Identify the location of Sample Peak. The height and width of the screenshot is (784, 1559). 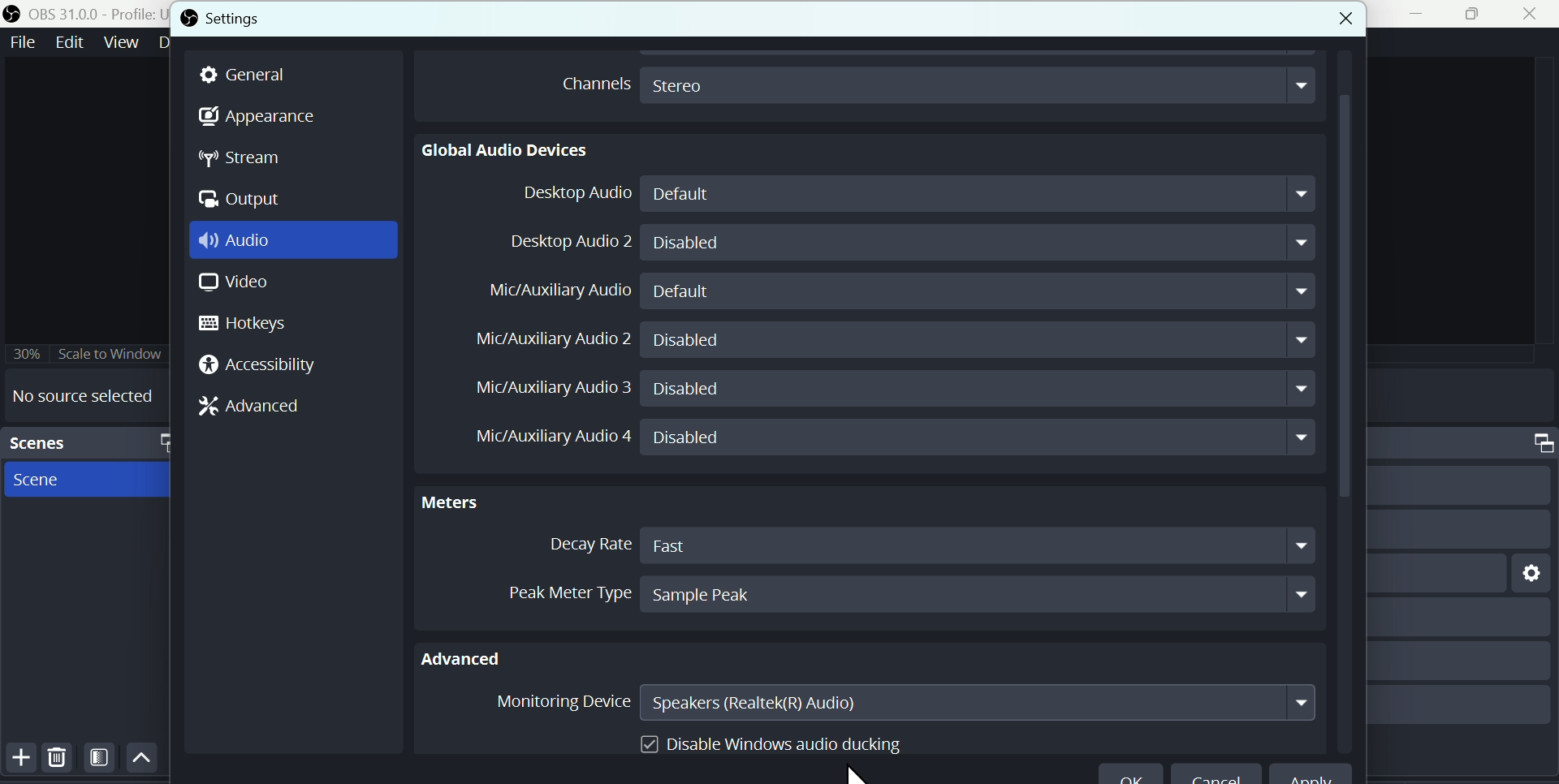
(978, 595).